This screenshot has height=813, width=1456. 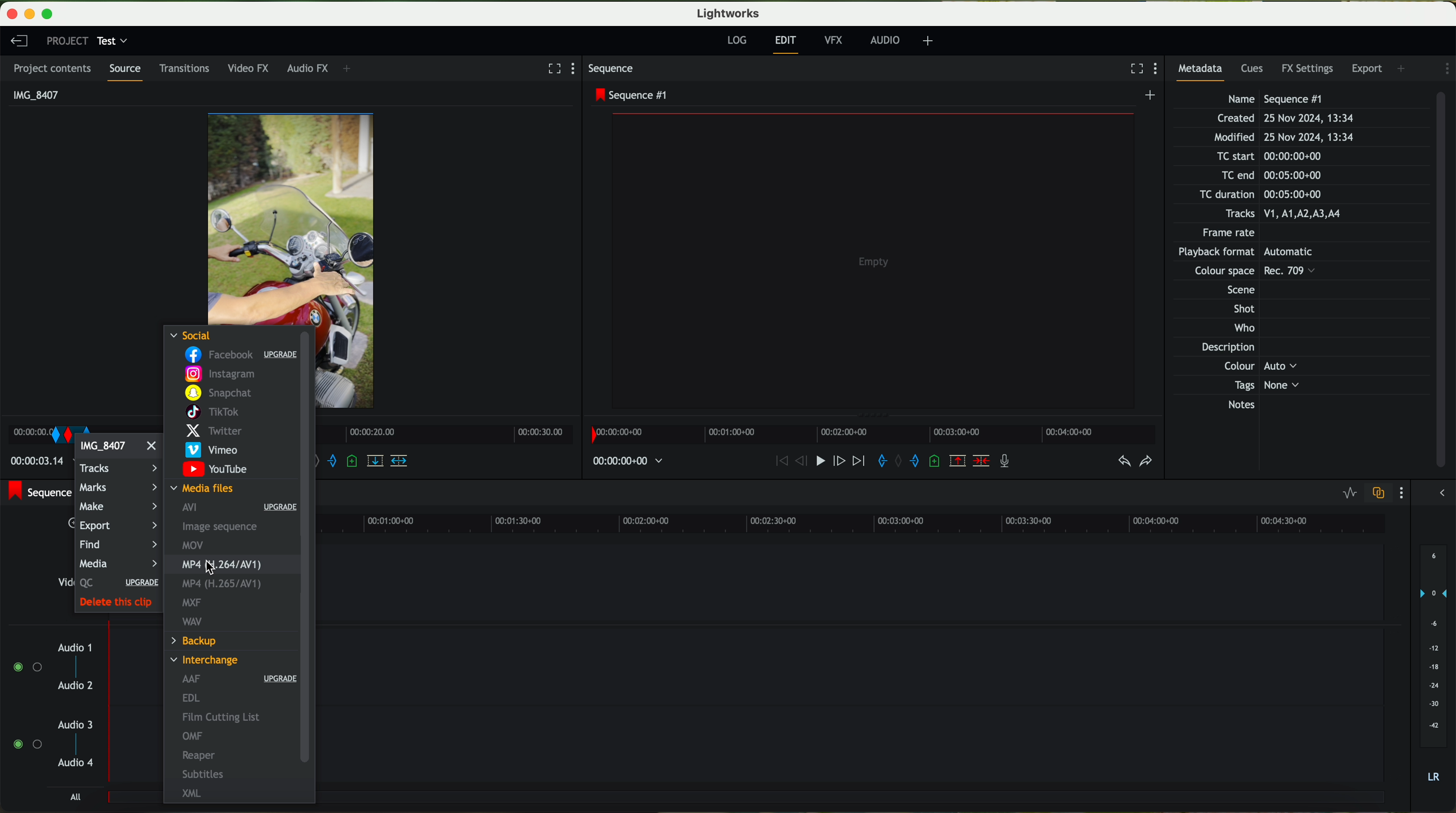 I want to click on interchange, so click(x=207, y=660).